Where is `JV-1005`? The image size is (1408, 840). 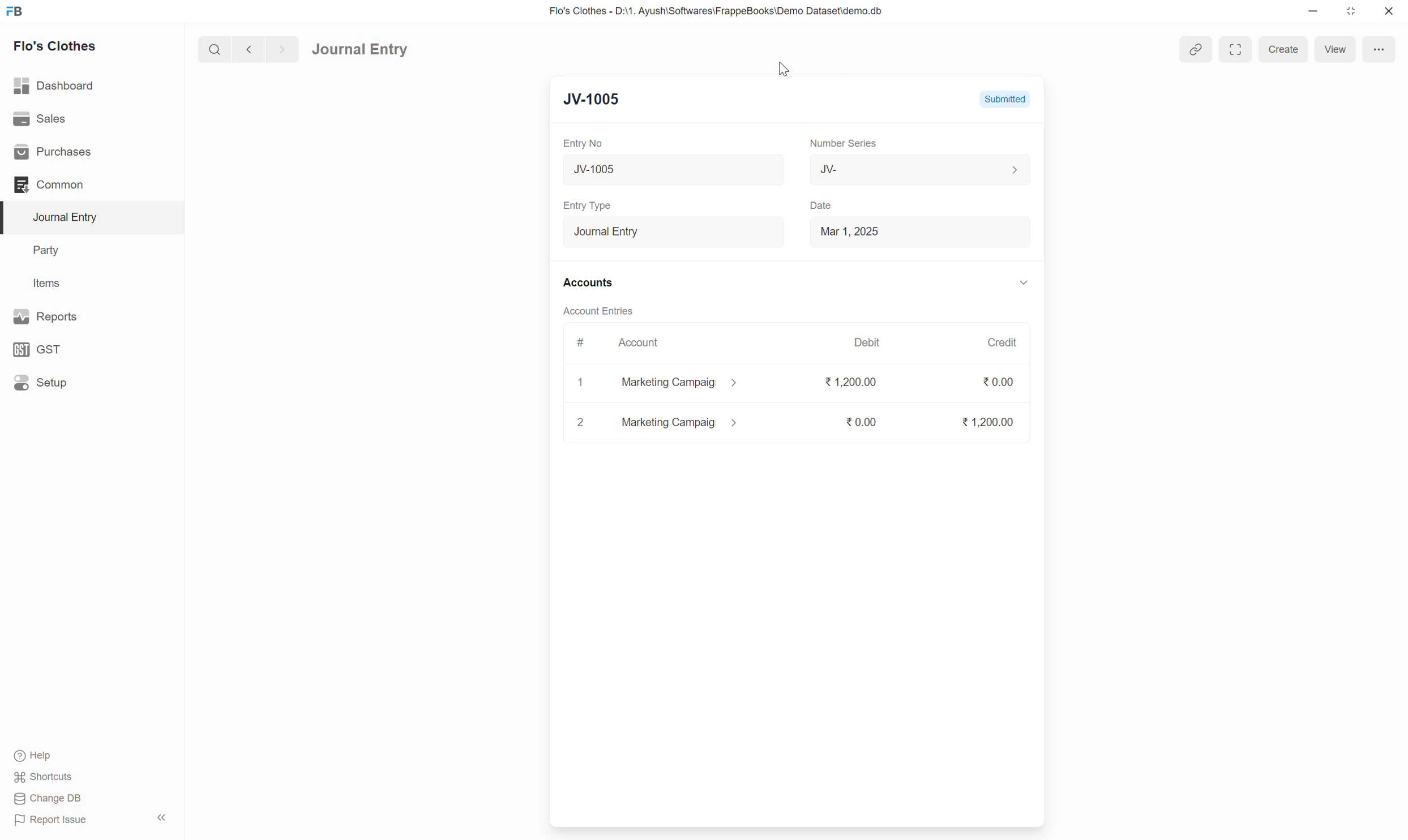 JV-1005 is located at coordinates (600, 98).